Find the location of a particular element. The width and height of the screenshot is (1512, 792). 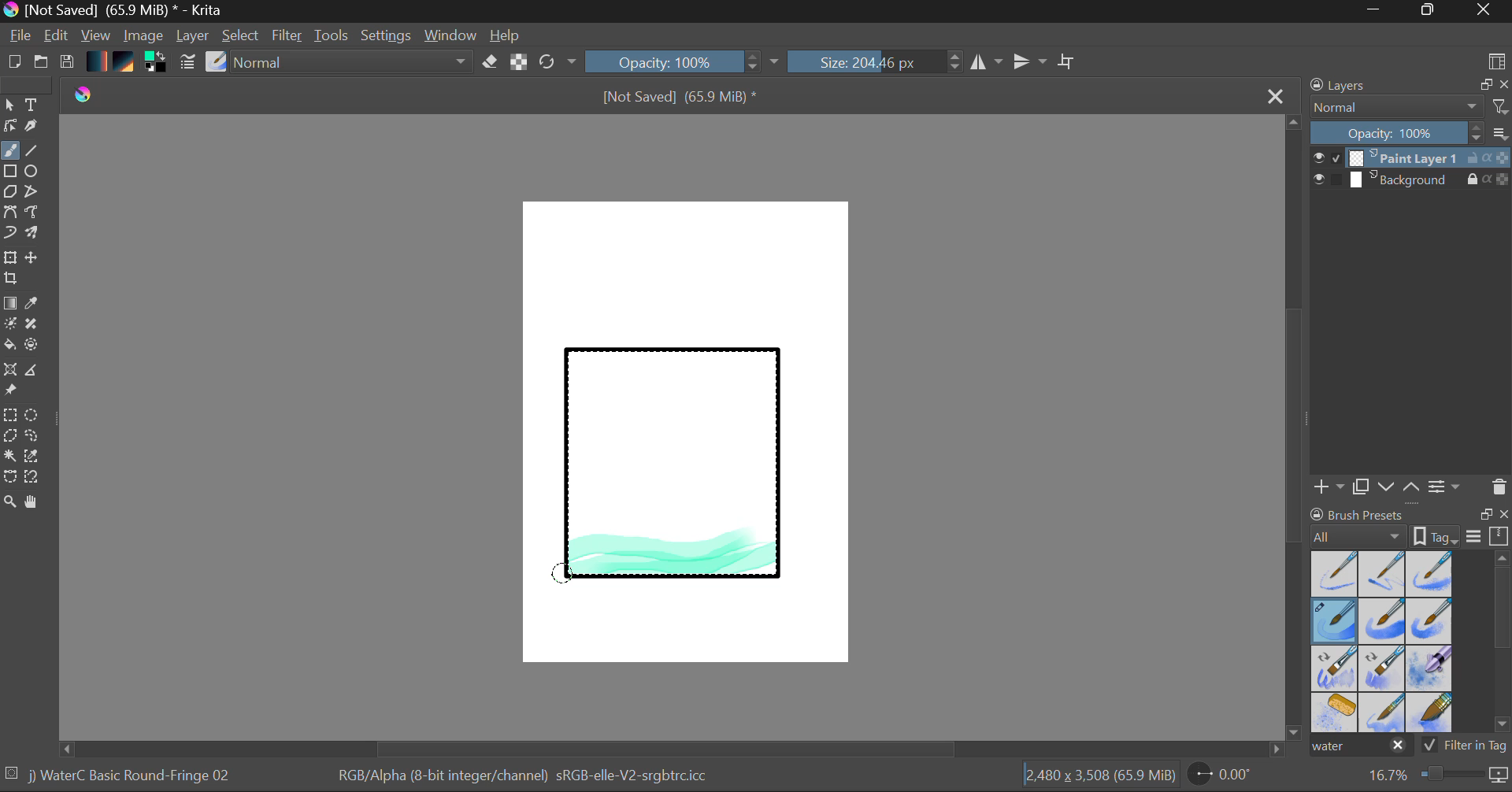

Minimize is located at coordinates (1431, 11).